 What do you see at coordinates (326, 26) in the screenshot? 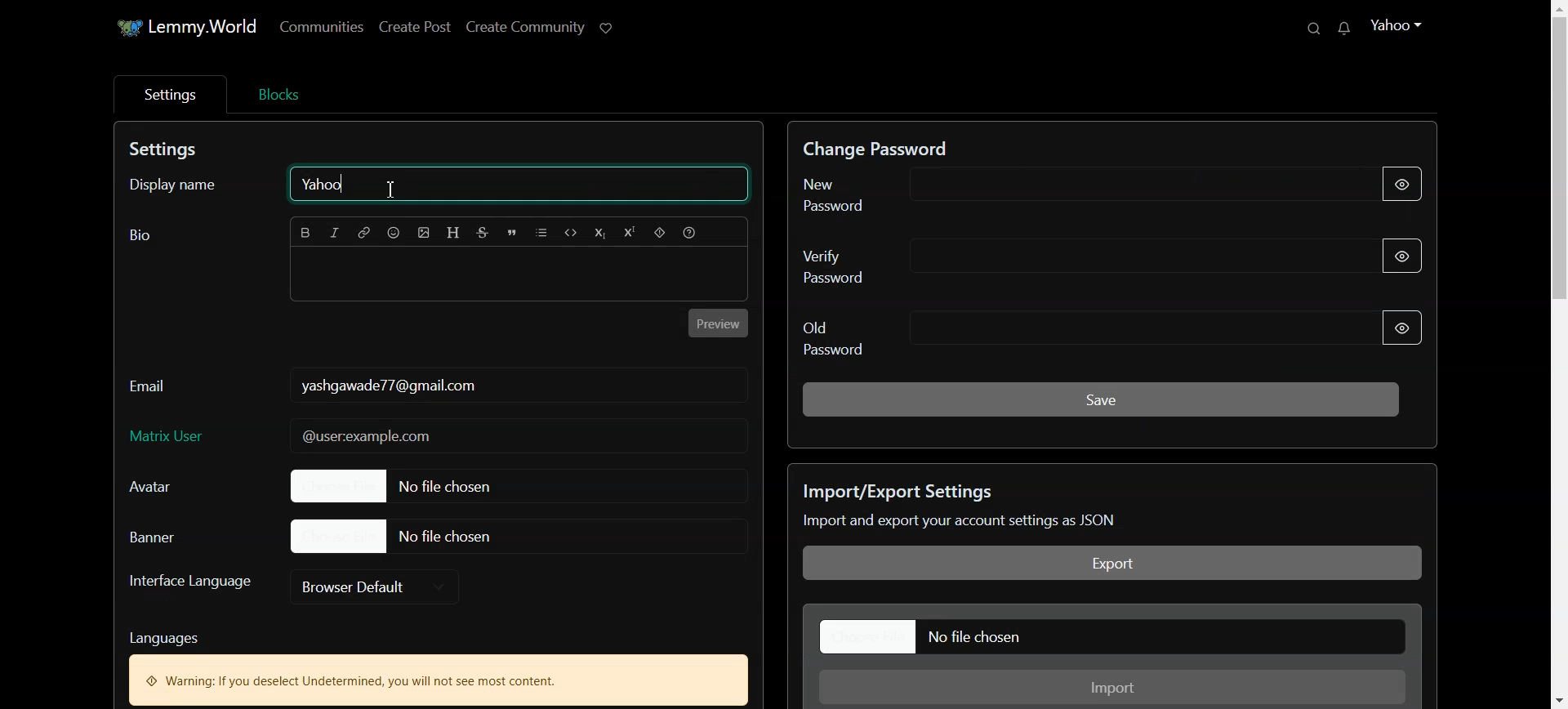
I see `communities` at bounding box center [326, 26].